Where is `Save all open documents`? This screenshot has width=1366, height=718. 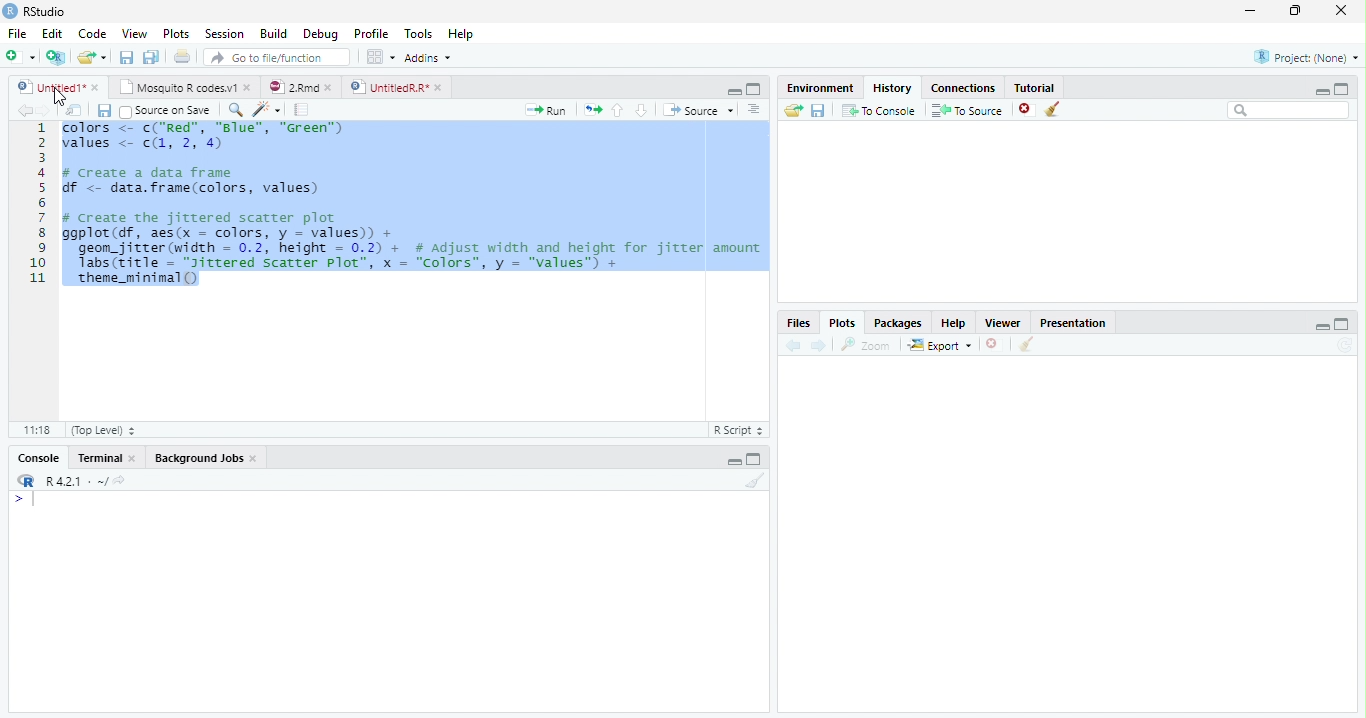 Save all open documents is located at coordinates (152, 57).